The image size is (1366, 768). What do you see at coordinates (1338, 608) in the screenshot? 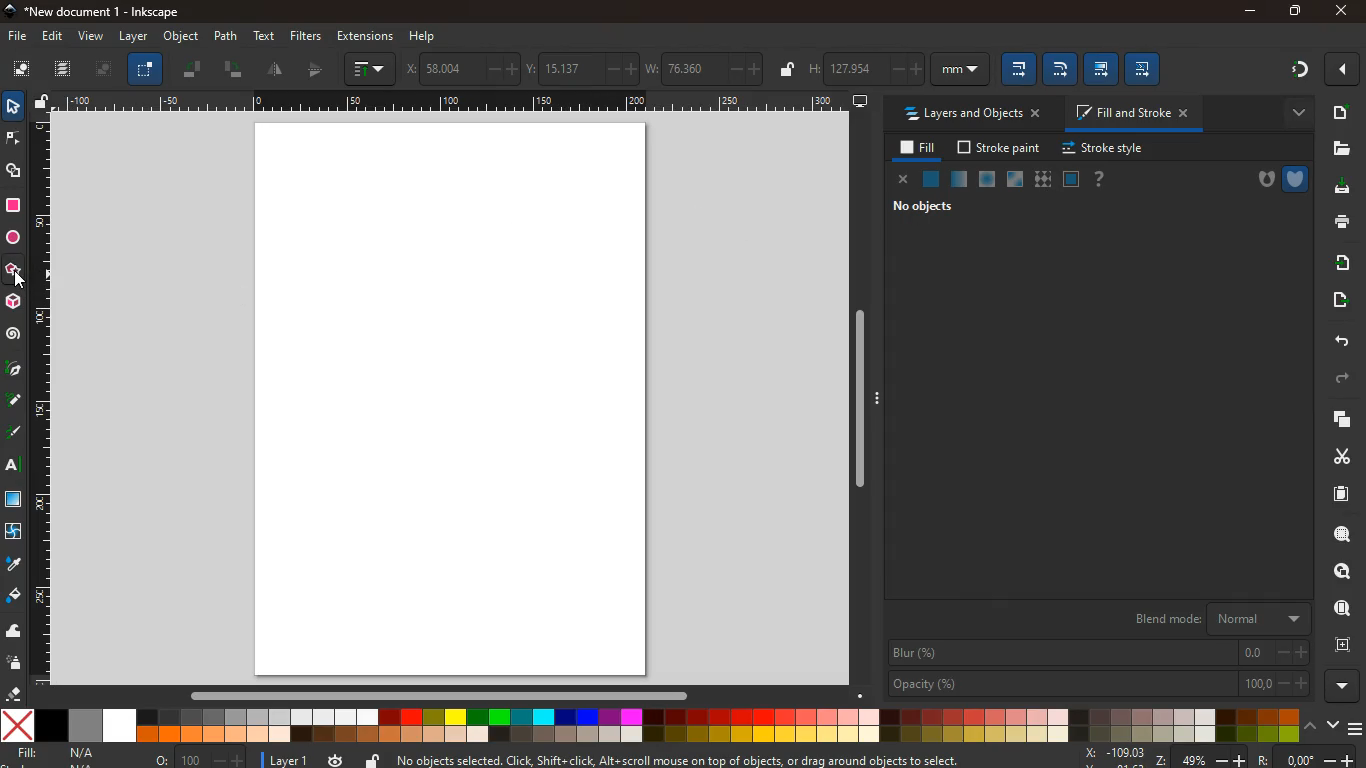
I see `find` at bounding box center [1338, 608].